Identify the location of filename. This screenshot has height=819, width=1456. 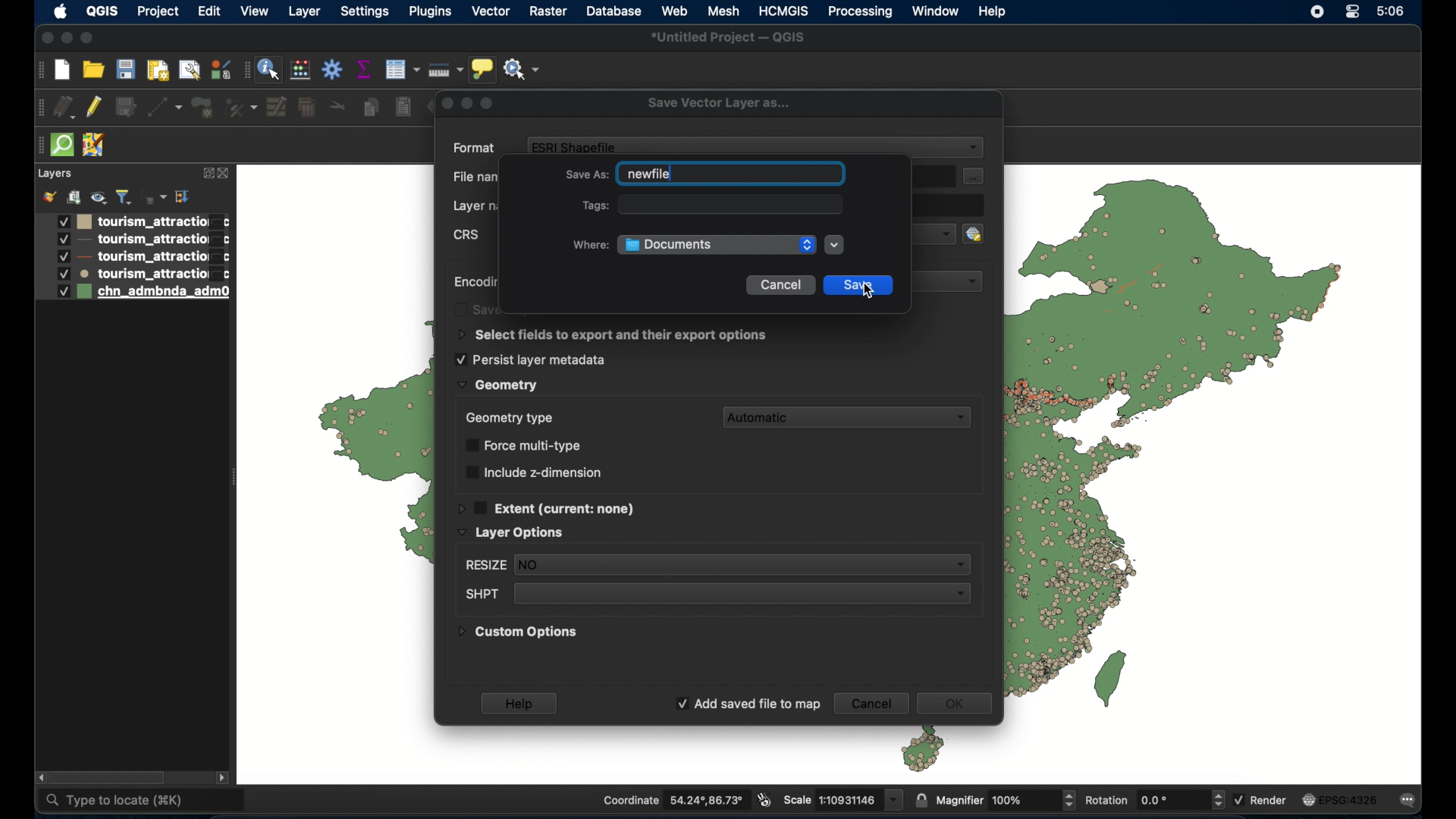
(477, 177).